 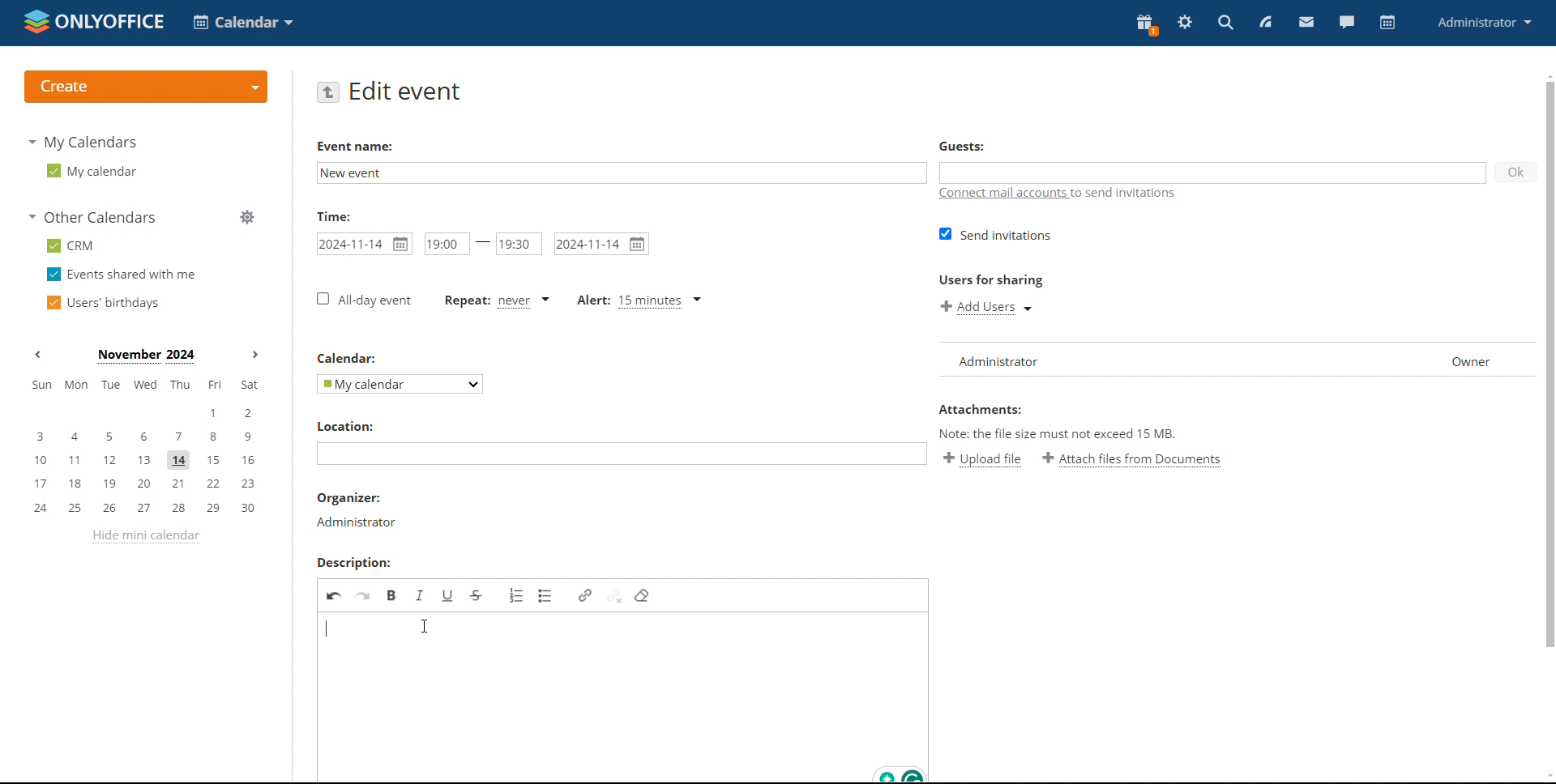 I want to click on scroll down, so click(x=1546, y=775).